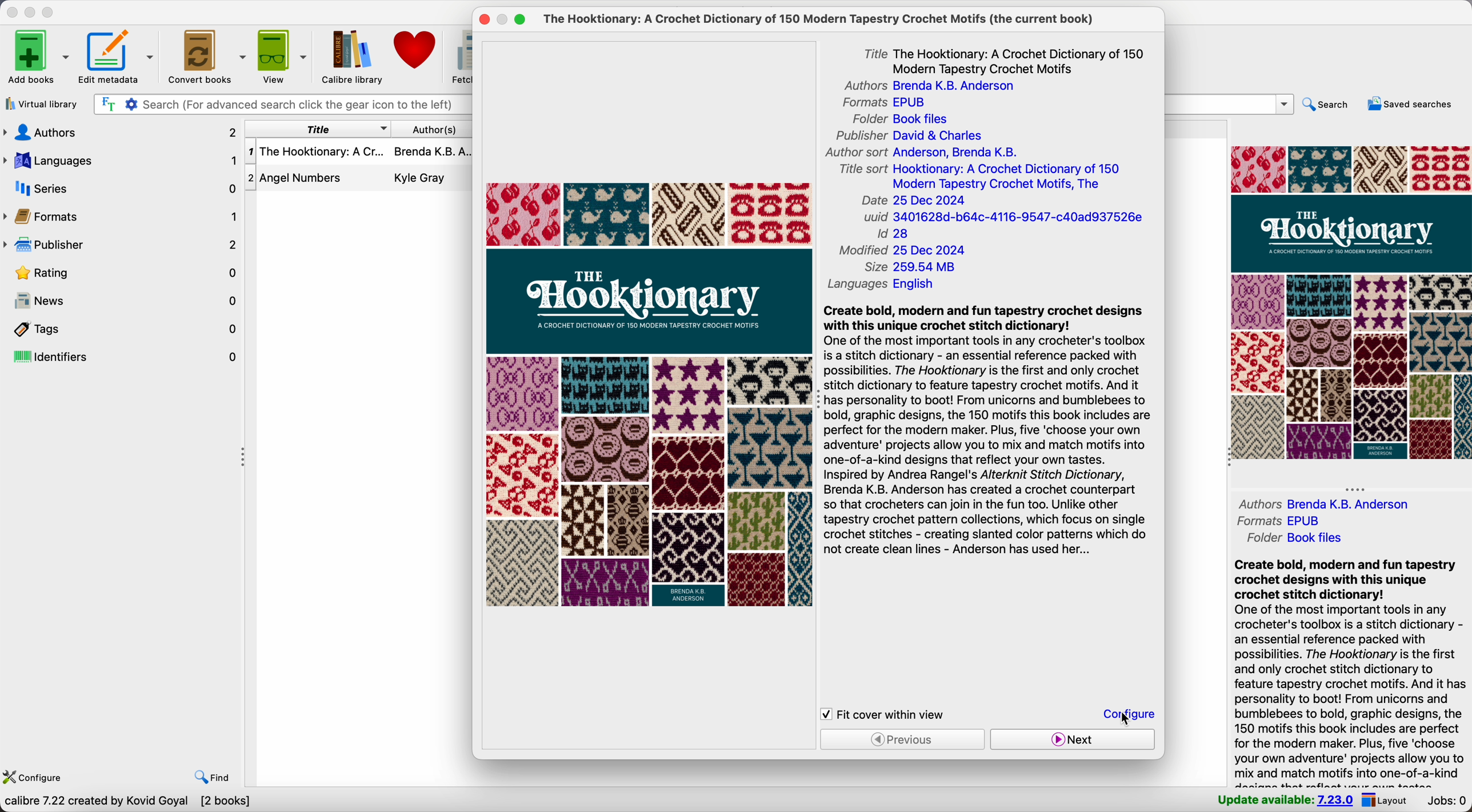  I want to click on fetch news, so click(459, 55).